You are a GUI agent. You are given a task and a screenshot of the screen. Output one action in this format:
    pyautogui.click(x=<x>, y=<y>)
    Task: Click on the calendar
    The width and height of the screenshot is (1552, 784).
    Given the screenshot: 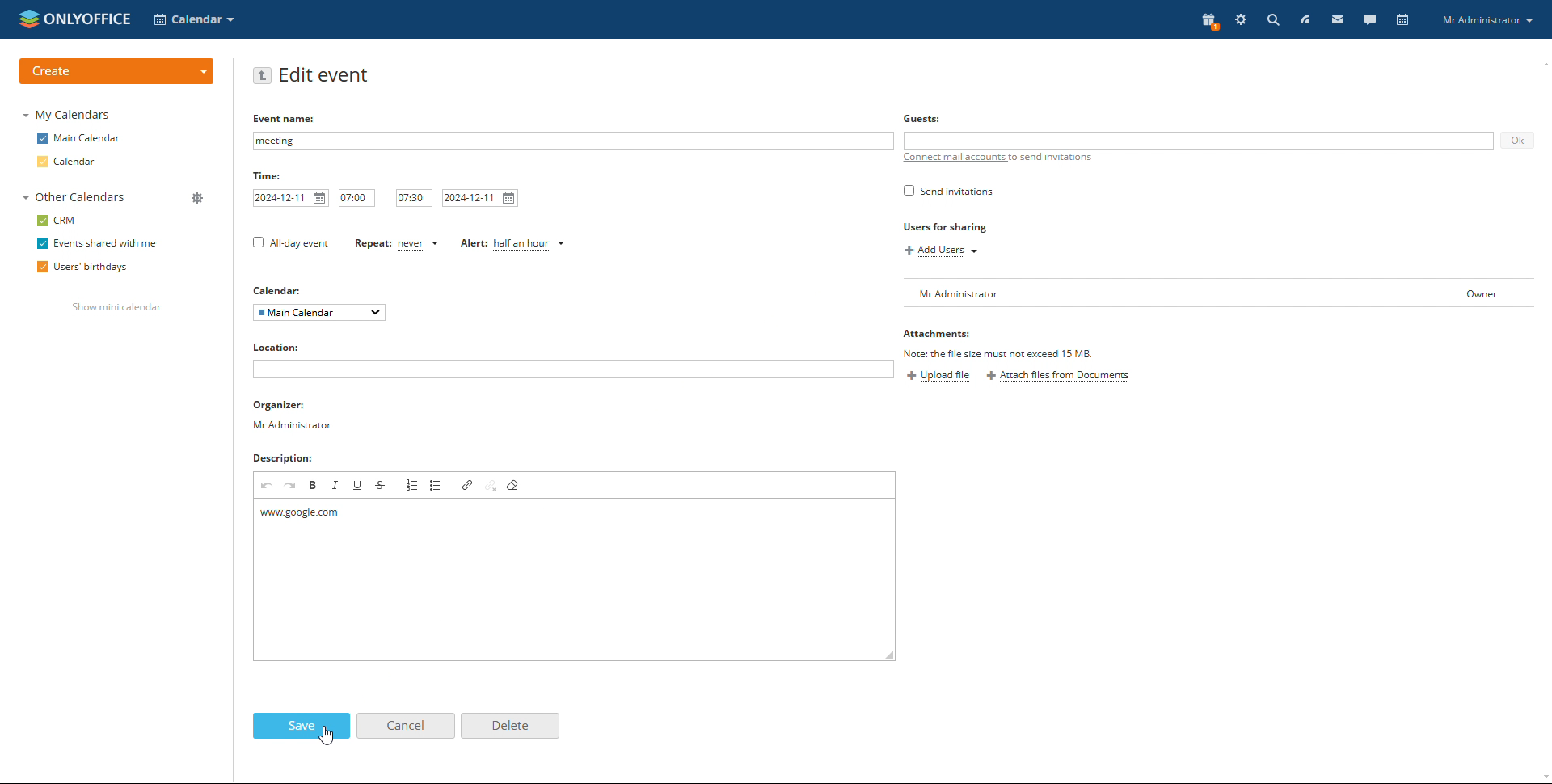 What is the action you would take?
    pyautogui.click(x=65, y=162)
    